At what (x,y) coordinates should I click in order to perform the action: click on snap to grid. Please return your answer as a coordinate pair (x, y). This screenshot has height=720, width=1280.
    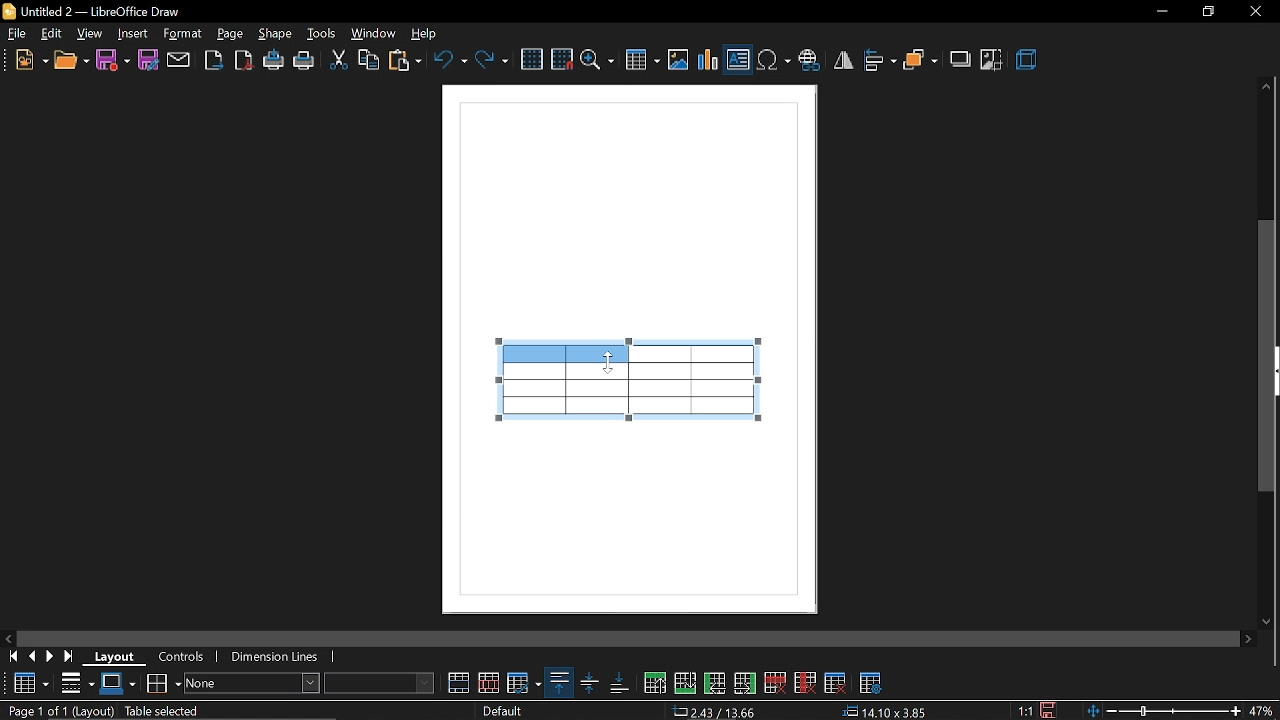
    Looking at the image, I should click on (562, 59).